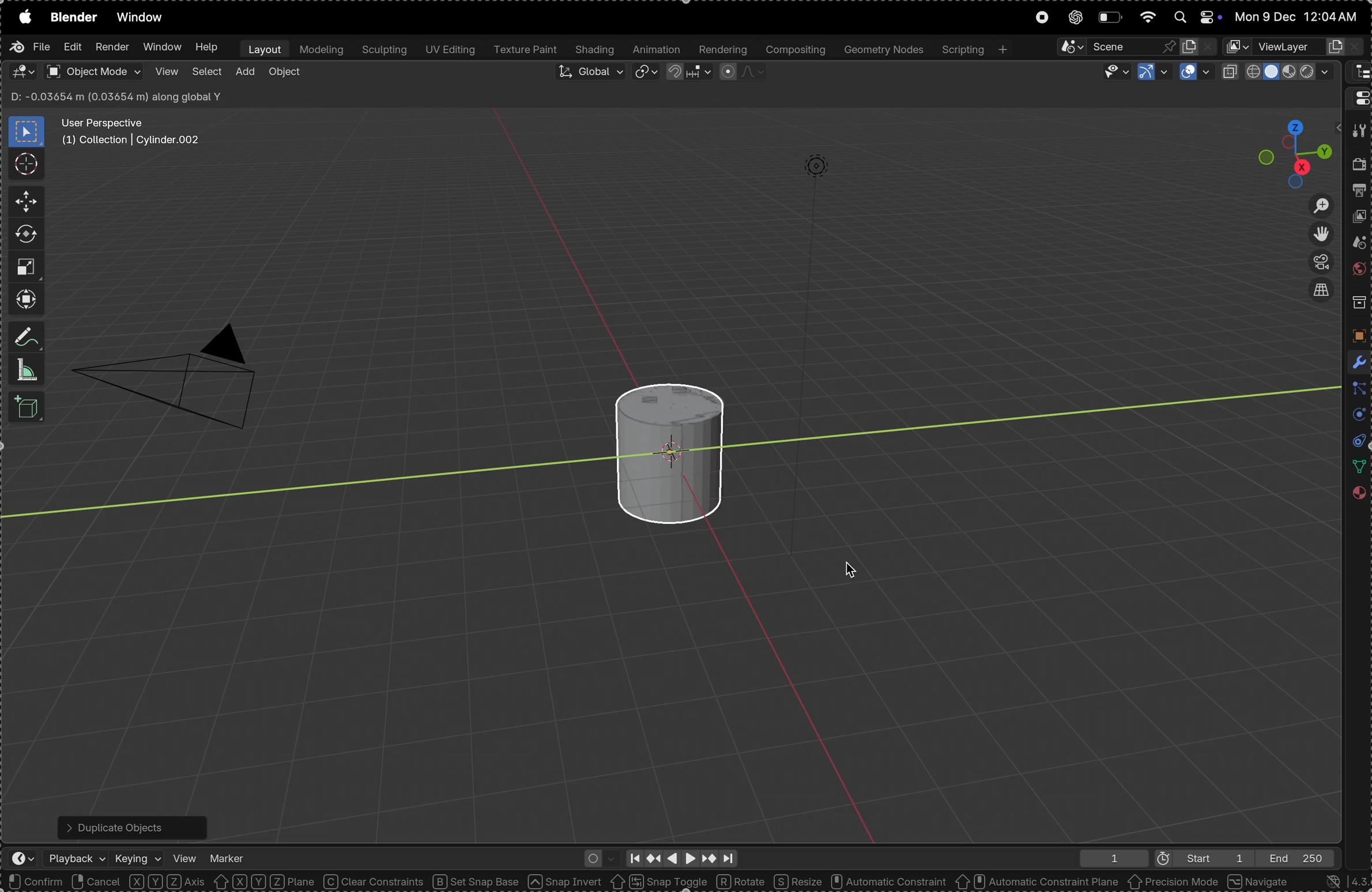 The image size is (1372, 892). I want to click on editor type, so click(1358, 97).